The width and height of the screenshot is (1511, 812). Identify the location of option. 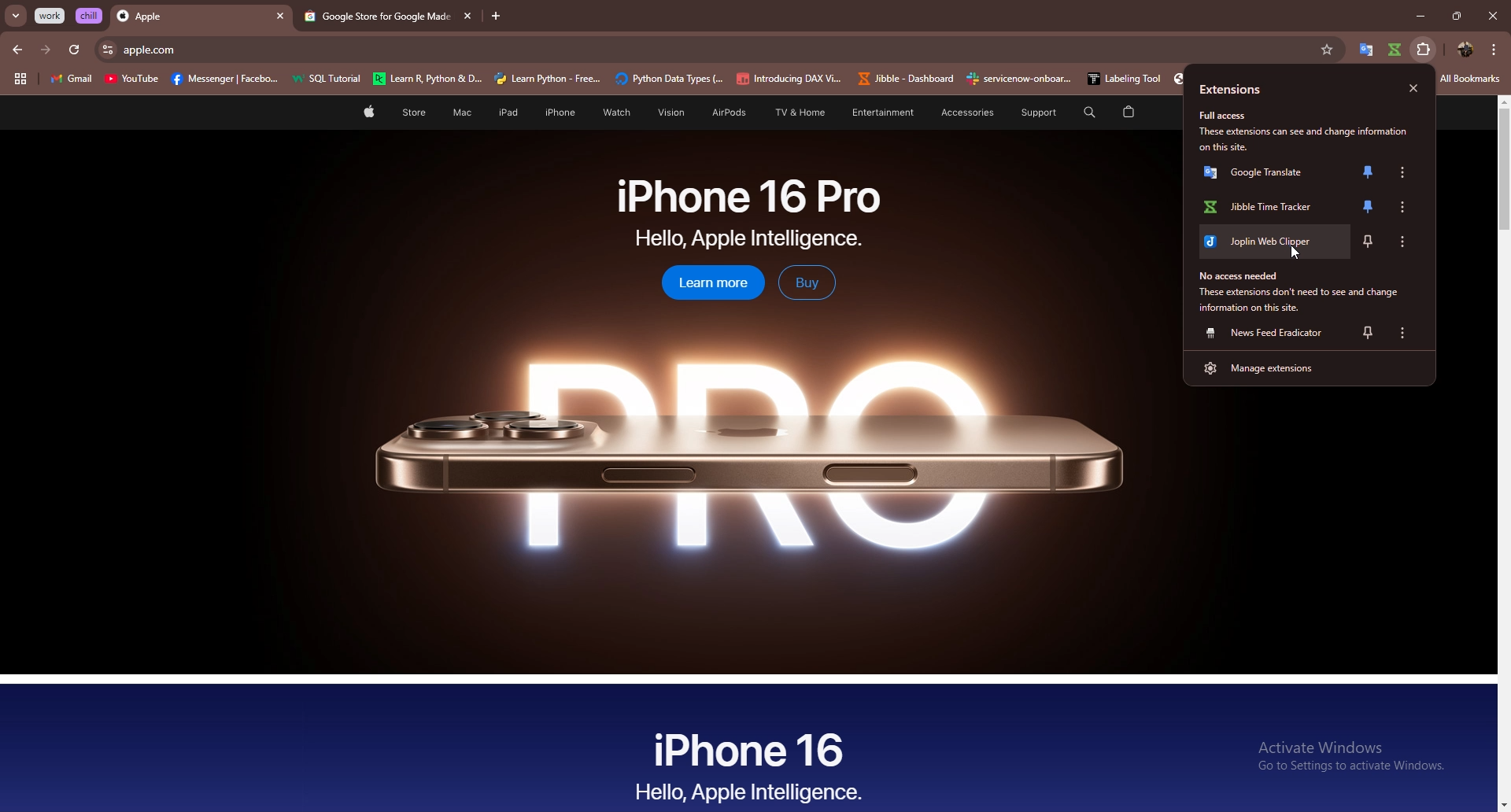
(1408, 240).